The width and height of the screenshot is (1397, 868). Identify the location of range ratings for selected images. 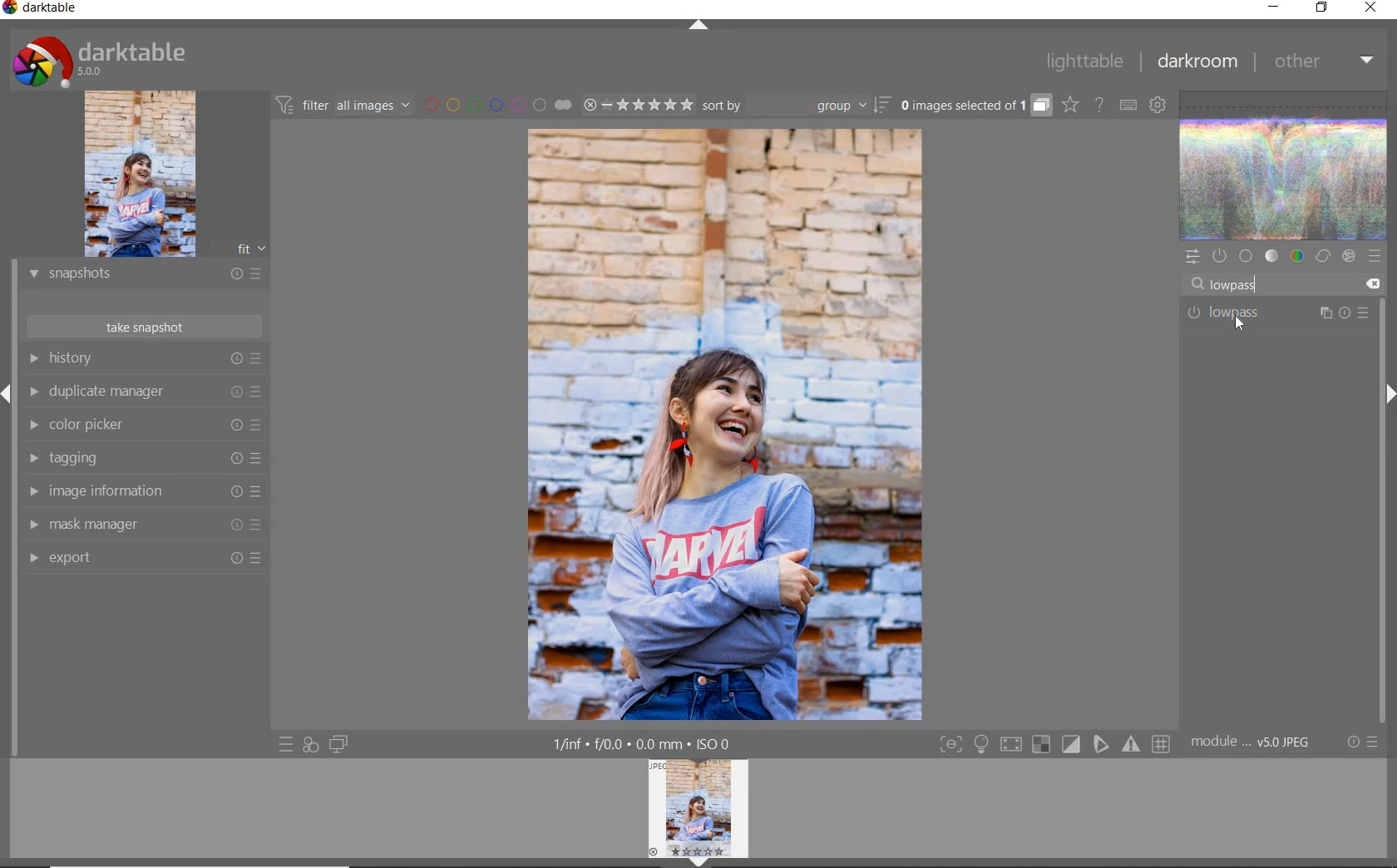
(638, 104).